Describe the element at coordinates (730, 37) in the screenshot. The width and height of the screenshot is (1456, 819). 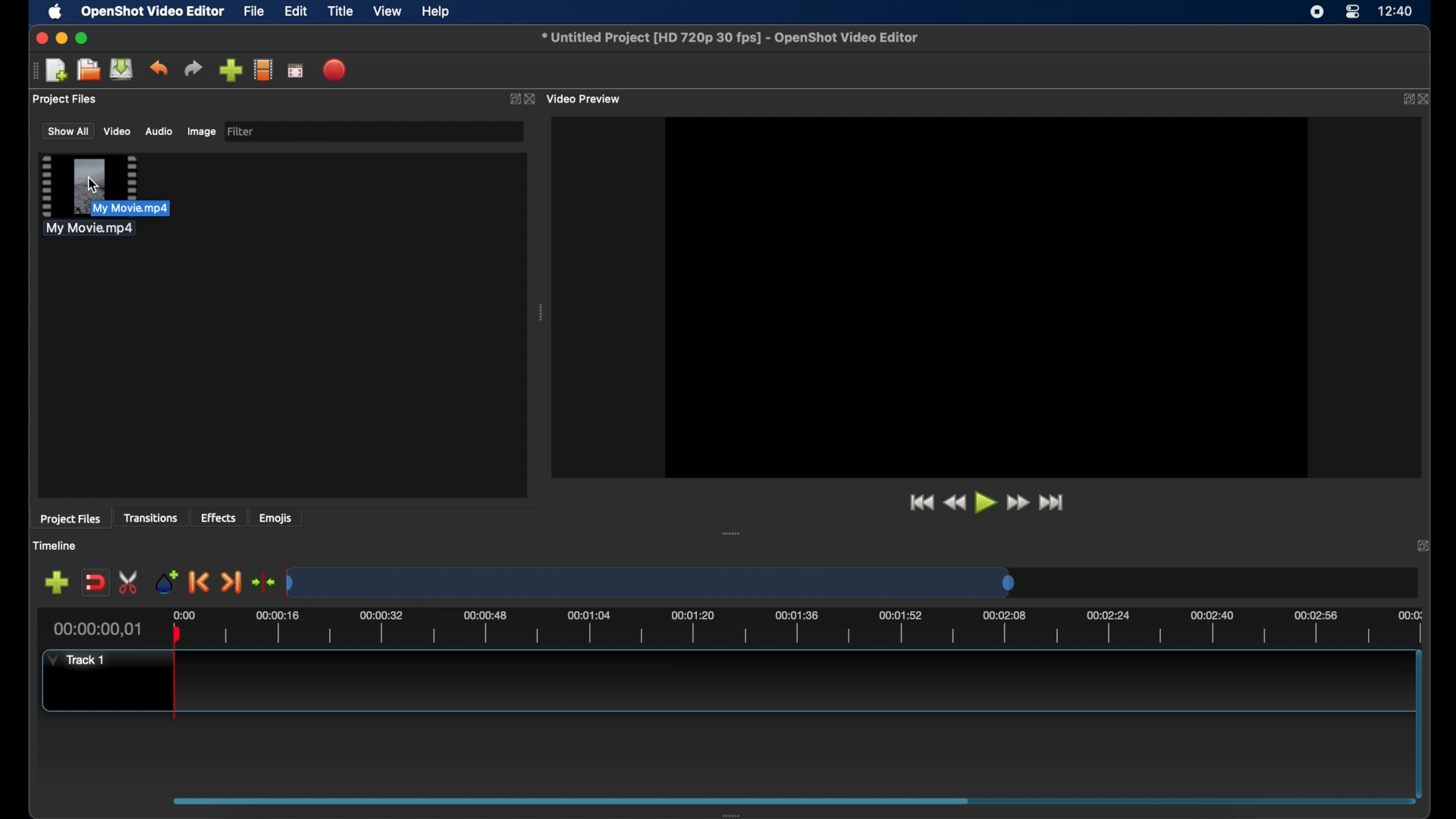
I see `file name` at that location.